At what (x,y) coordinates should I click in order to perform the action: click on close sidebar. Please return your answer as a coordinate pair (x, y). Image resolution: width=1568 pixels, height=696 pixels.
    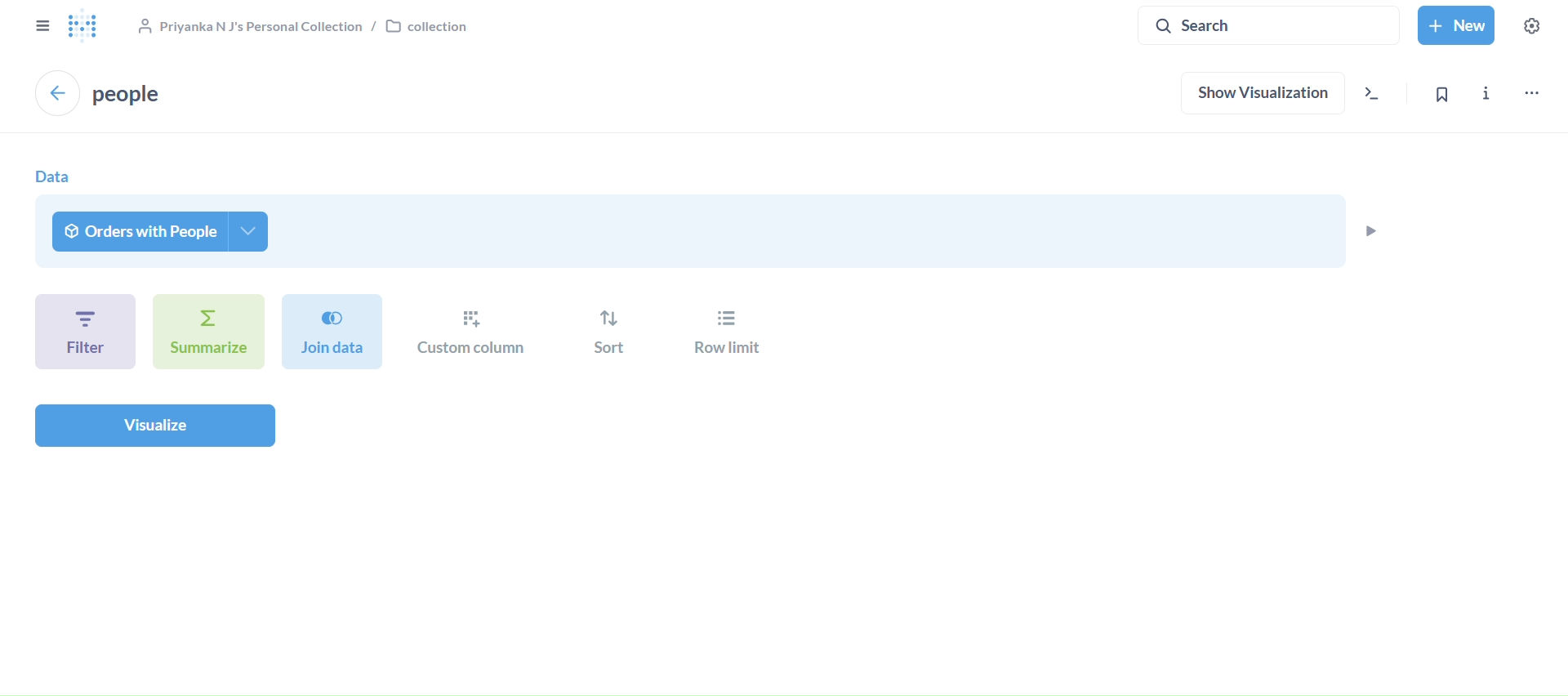
    Looking at the image, I should click on (40, 26).